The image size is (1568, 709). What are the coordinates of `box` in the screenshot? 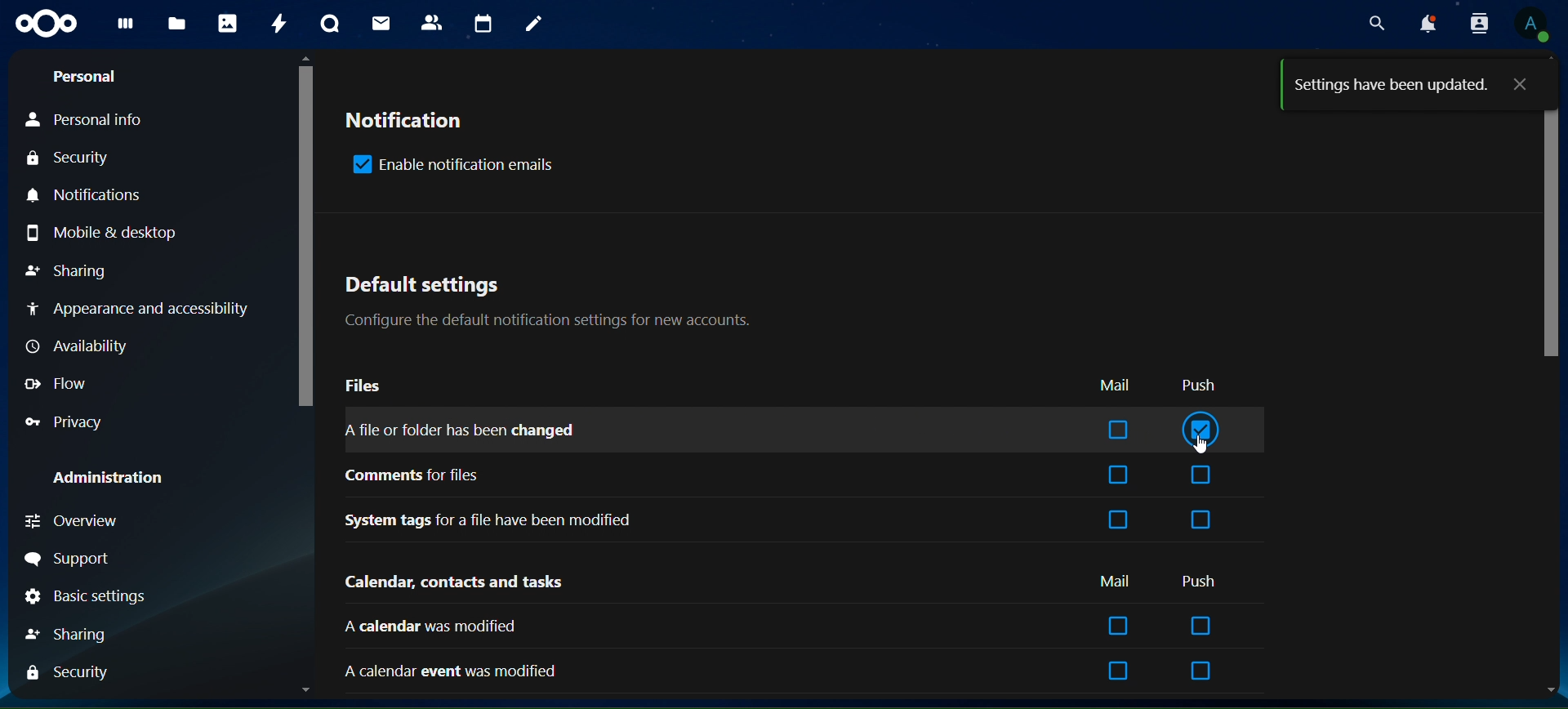 It's located at (1118, 476).